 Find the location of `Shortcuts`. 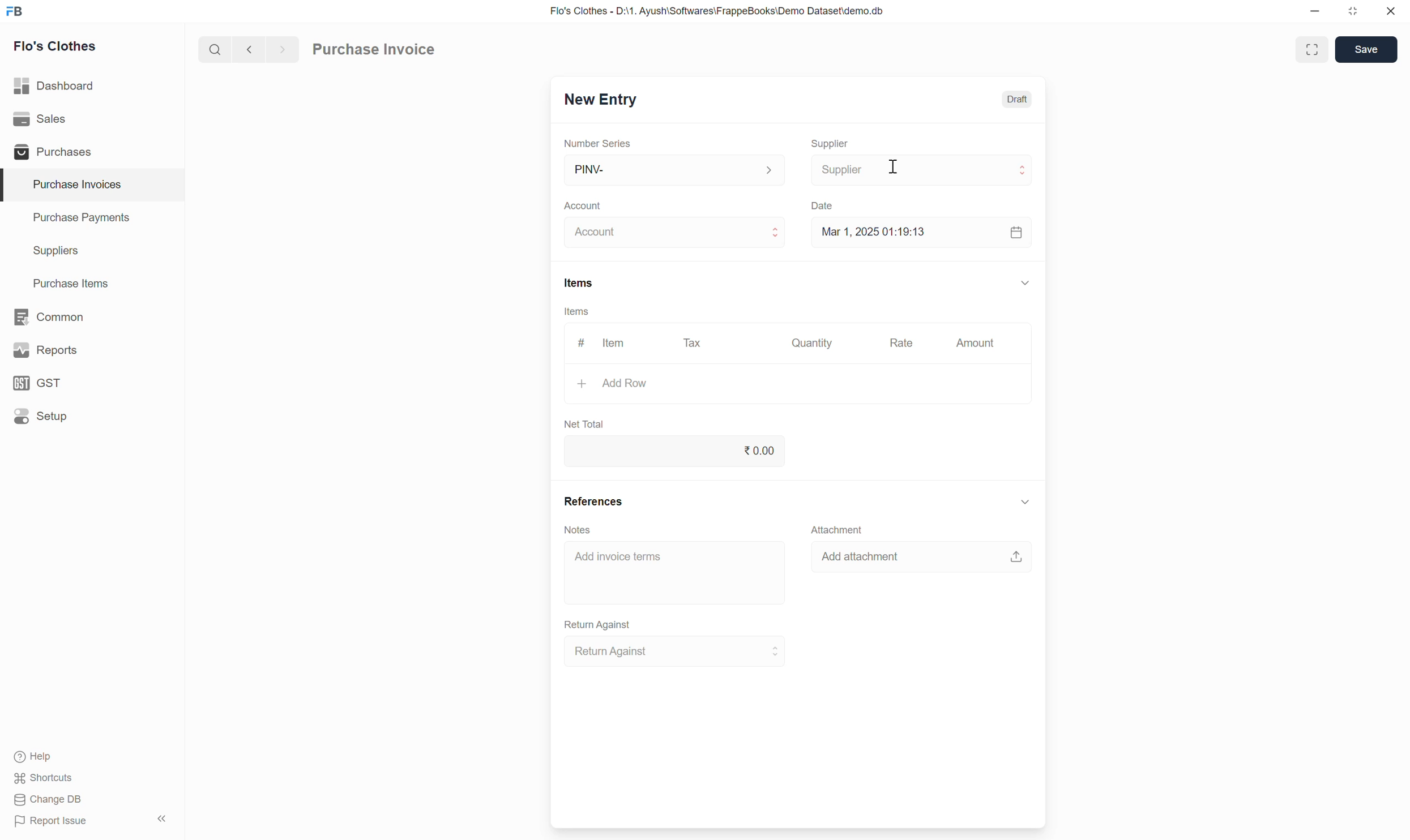

Shortcuts is located at coordinates (45, 779).